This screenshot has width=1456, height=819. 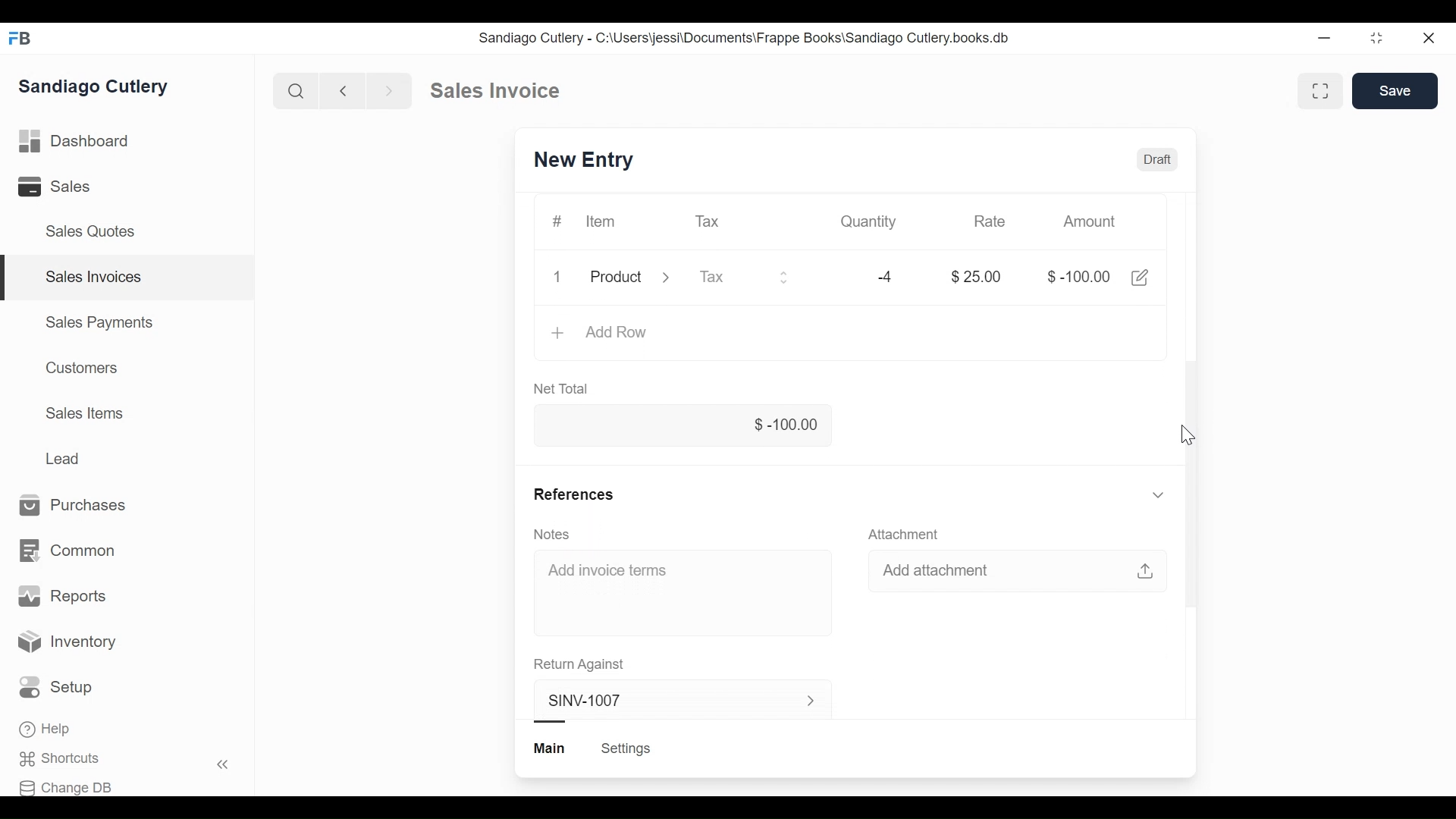 I want to click on Search, so click(x=296, y=89).